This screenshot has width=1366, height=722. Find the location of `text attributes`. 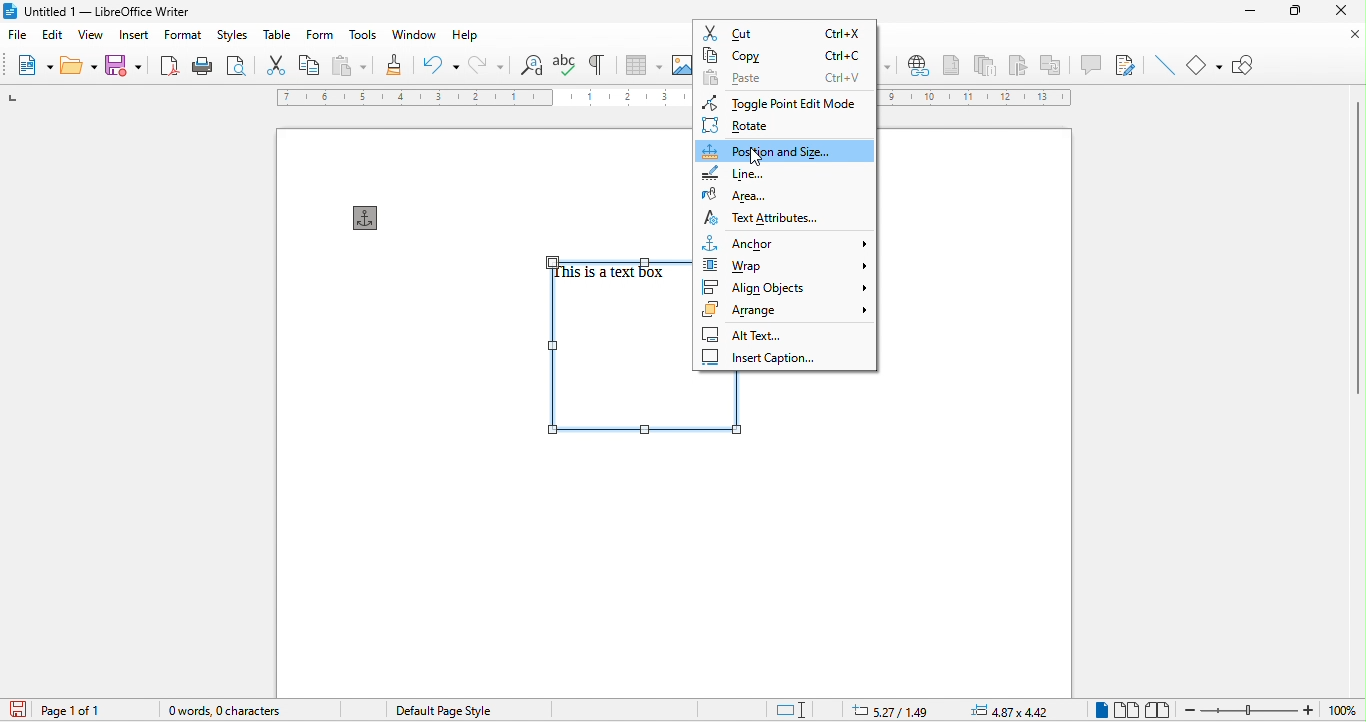

text attributes is located at coordinates (768, 217).